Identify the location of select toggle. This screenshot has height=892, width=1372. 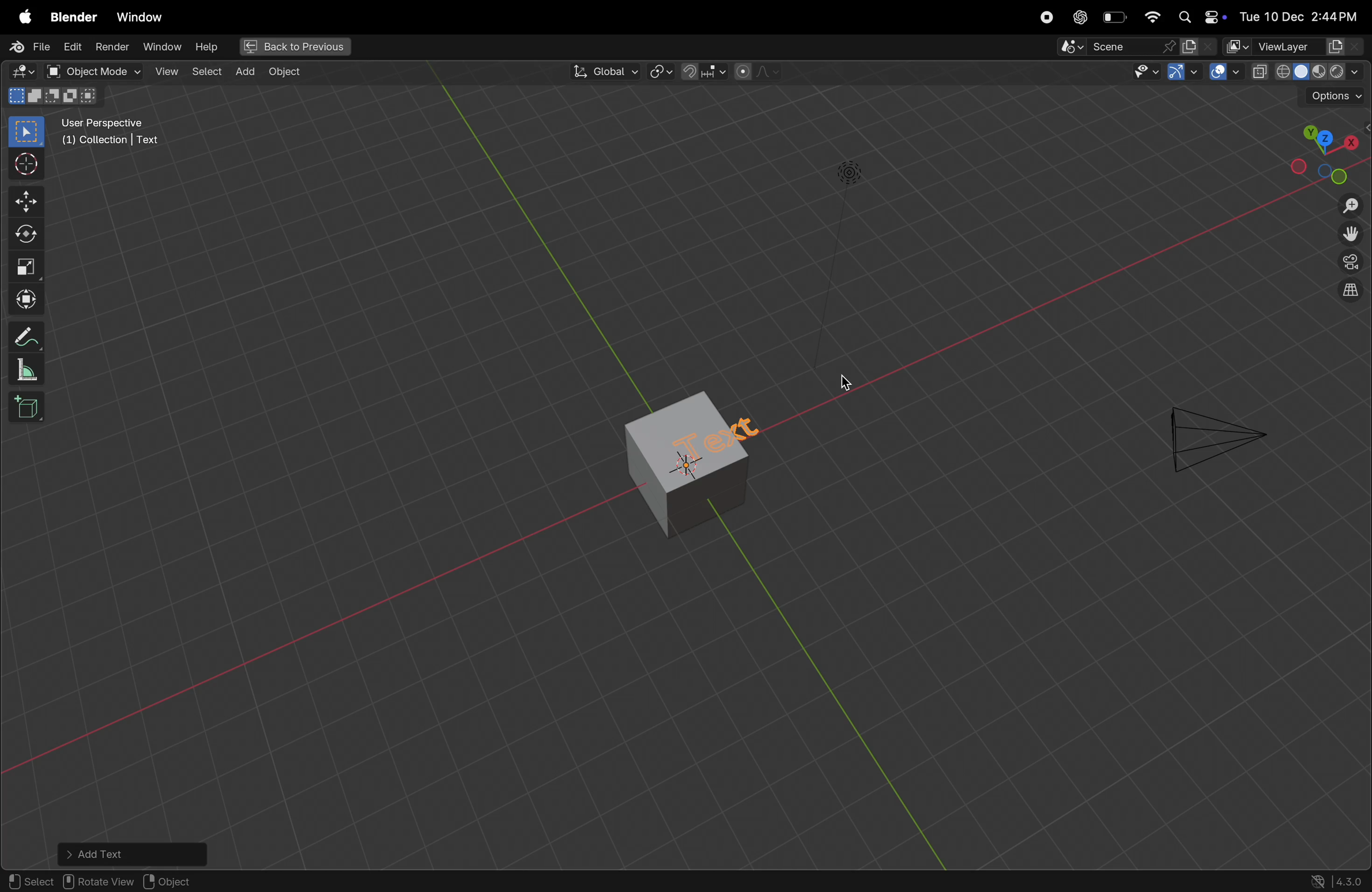
(30, 882).